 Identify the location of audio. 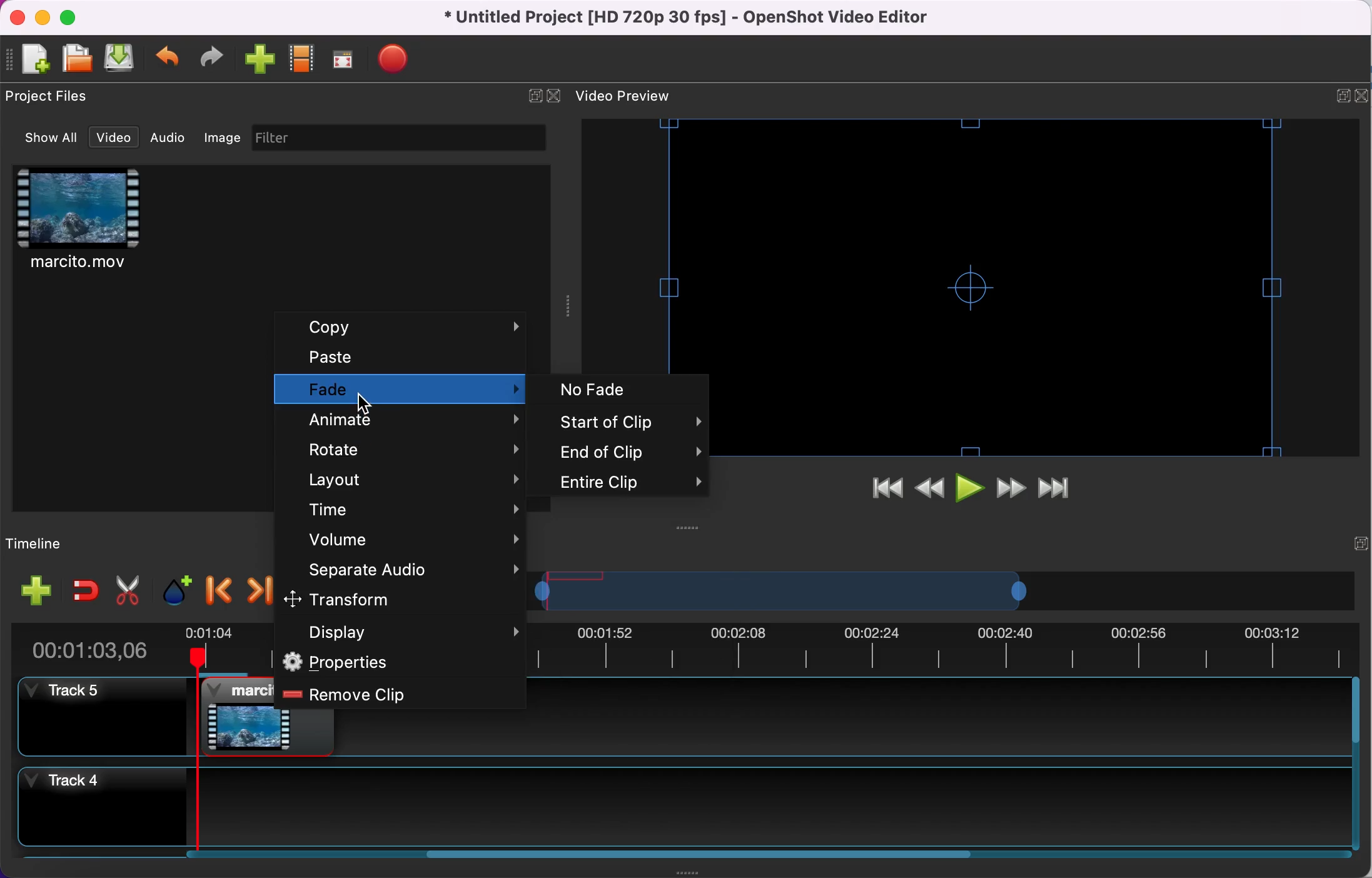
(167, 136).